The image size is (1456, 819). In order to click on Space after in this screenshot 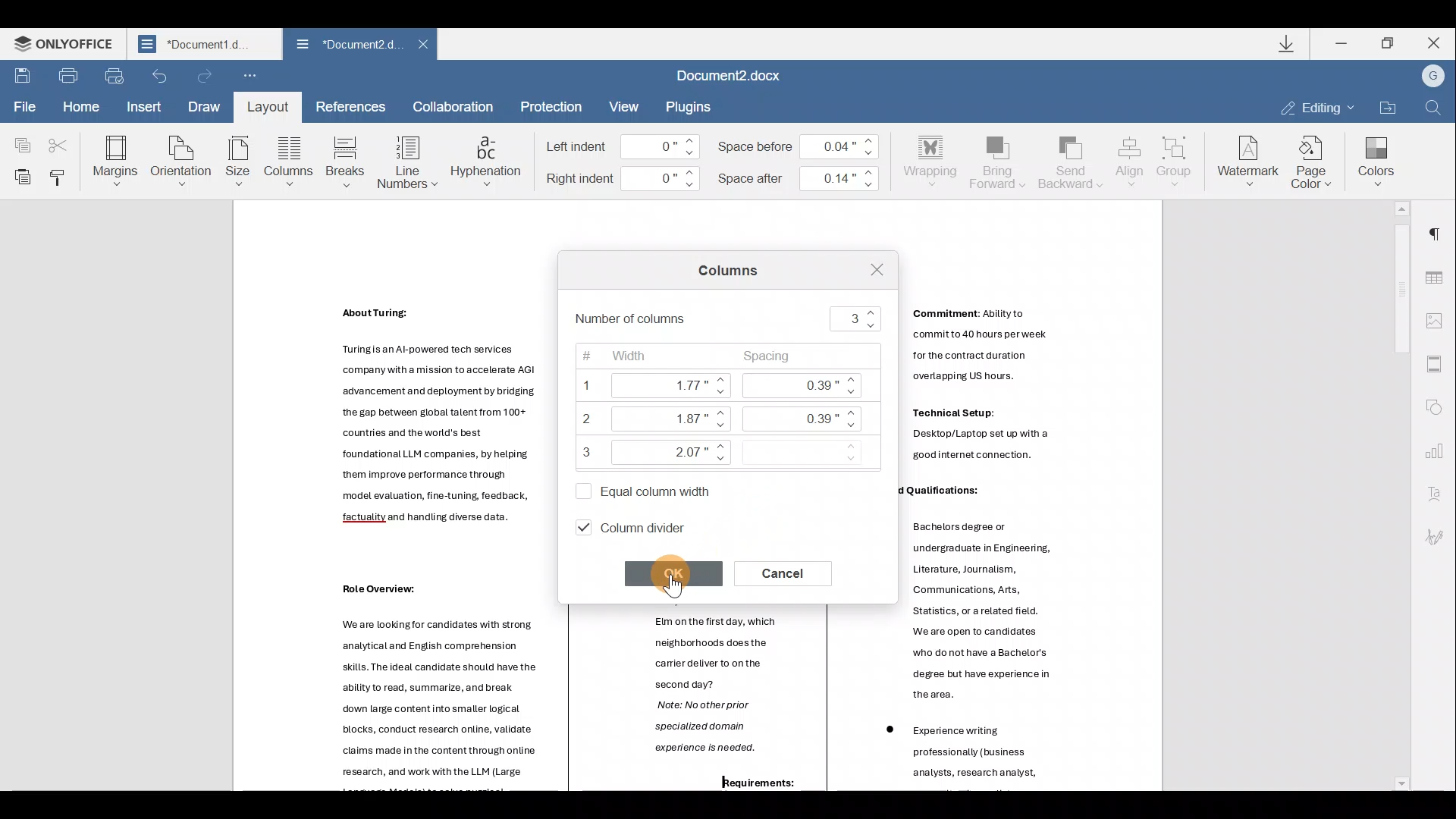, I will do `click(801, 175)`.